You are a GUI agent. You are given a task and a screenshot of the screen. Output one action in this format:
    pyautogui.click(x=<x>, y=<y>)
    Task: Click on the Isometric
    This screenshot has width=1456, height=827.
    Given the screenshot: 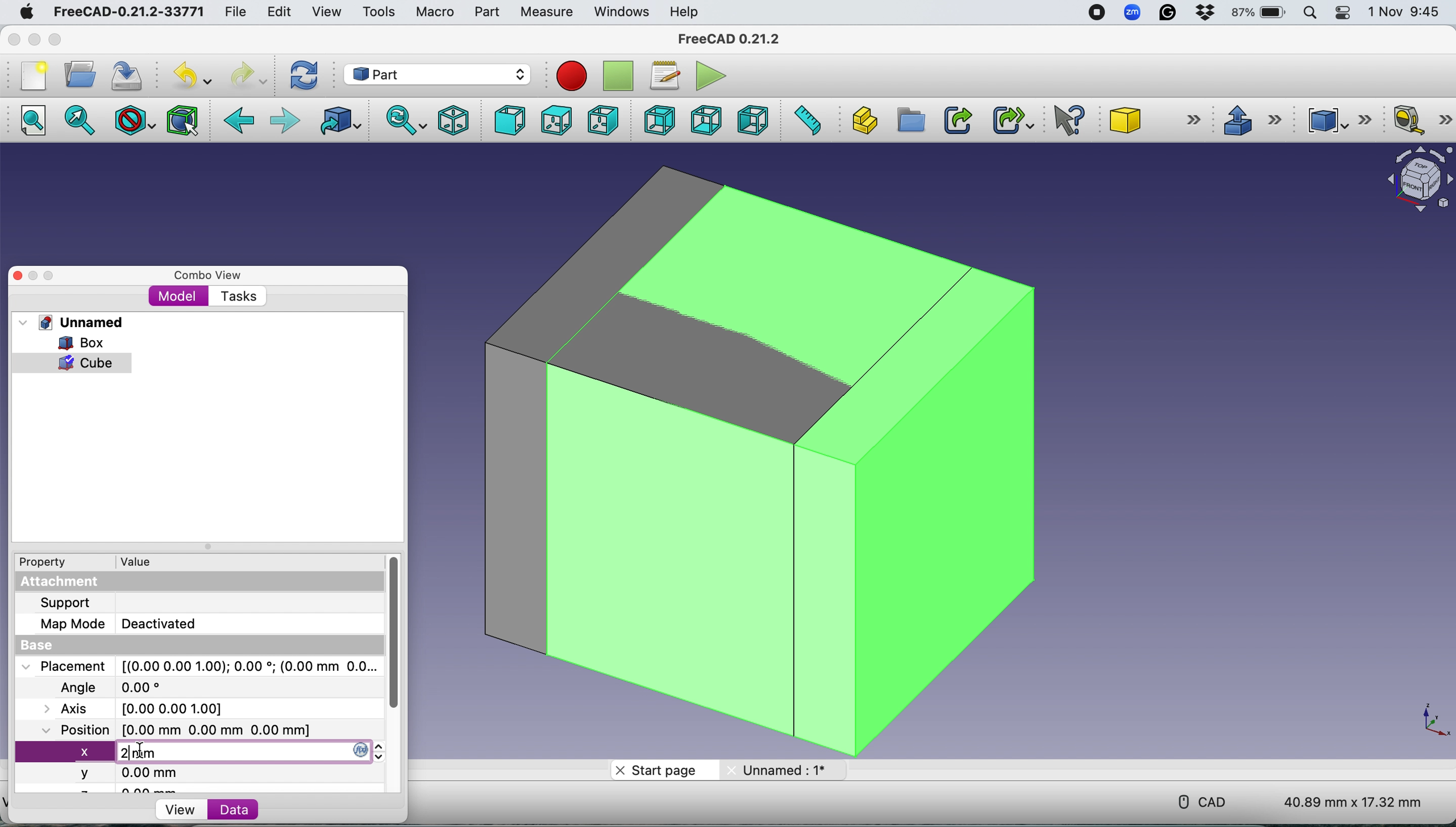 What is the action you would take?
    pyautogui.click(x=454, y=119)
    